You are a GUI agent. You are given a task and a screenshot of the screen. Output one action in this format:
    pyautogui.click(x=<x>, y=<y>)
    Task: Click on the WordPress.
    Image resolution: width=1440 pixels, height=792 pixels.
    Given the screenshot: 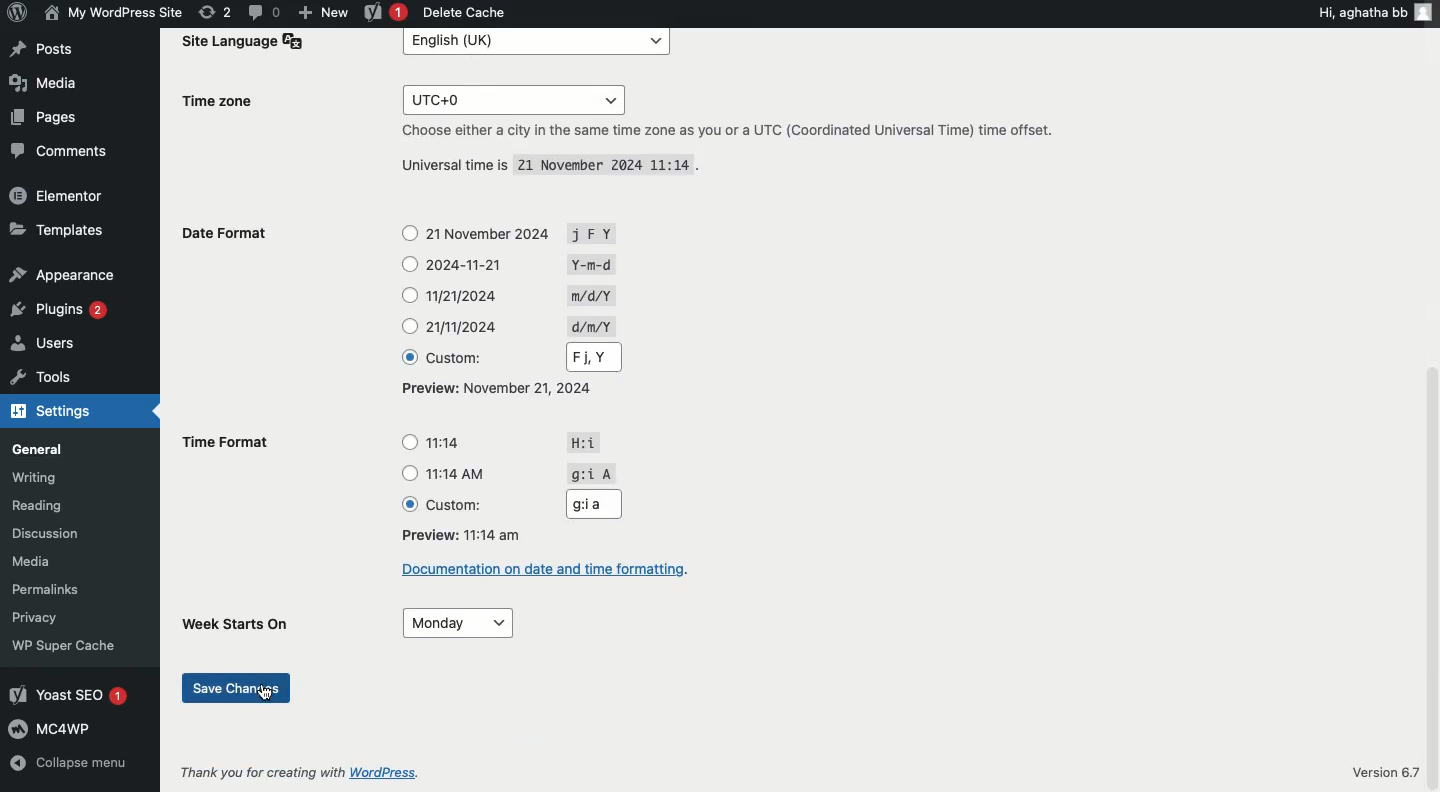 What is the action you would take?
    pyautogui.click(x=403, y=771)
    